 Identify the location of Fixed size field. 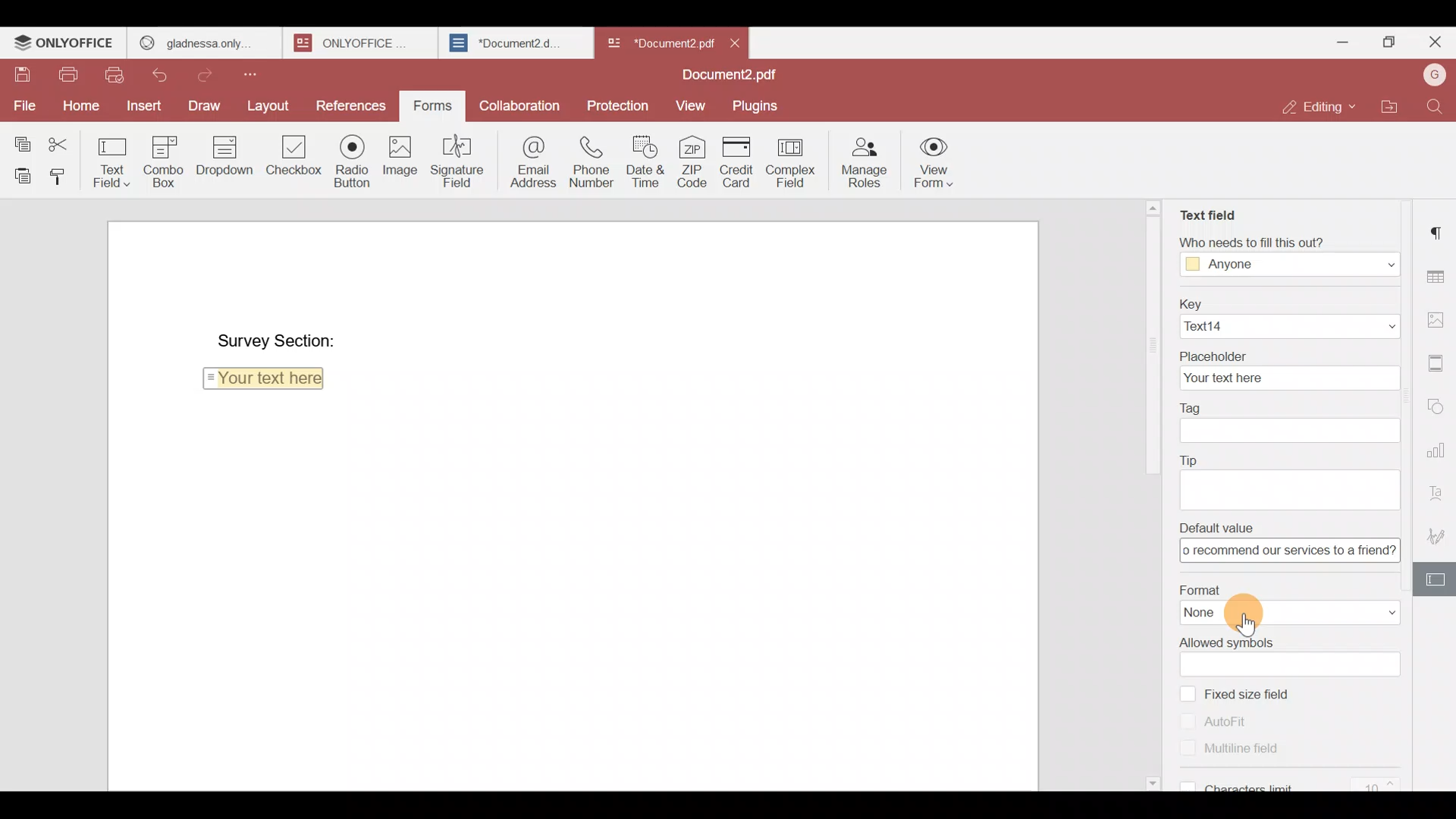
(1255, 692).